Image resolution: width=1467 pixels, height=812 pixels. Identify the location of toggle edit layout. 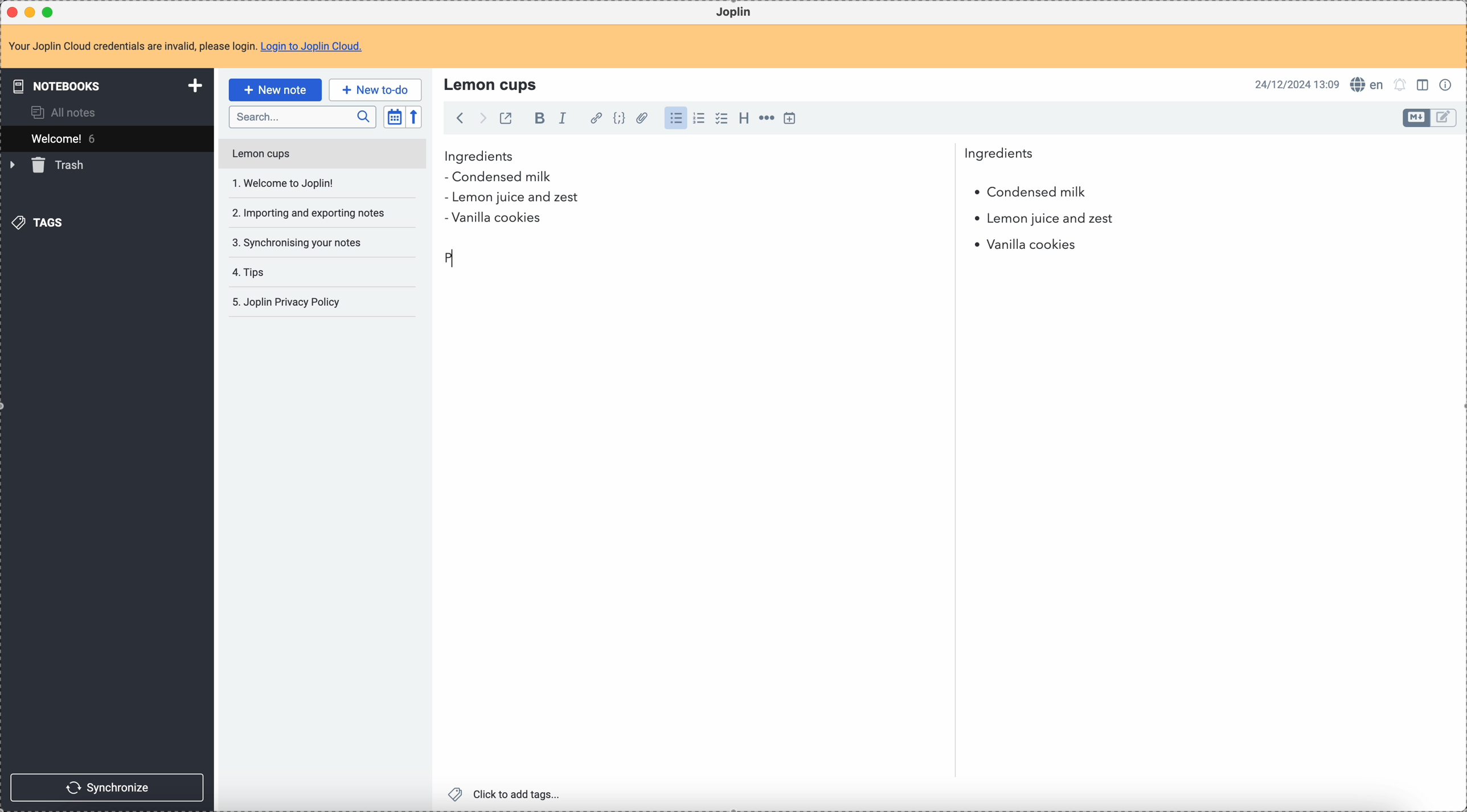
(1417, 118).